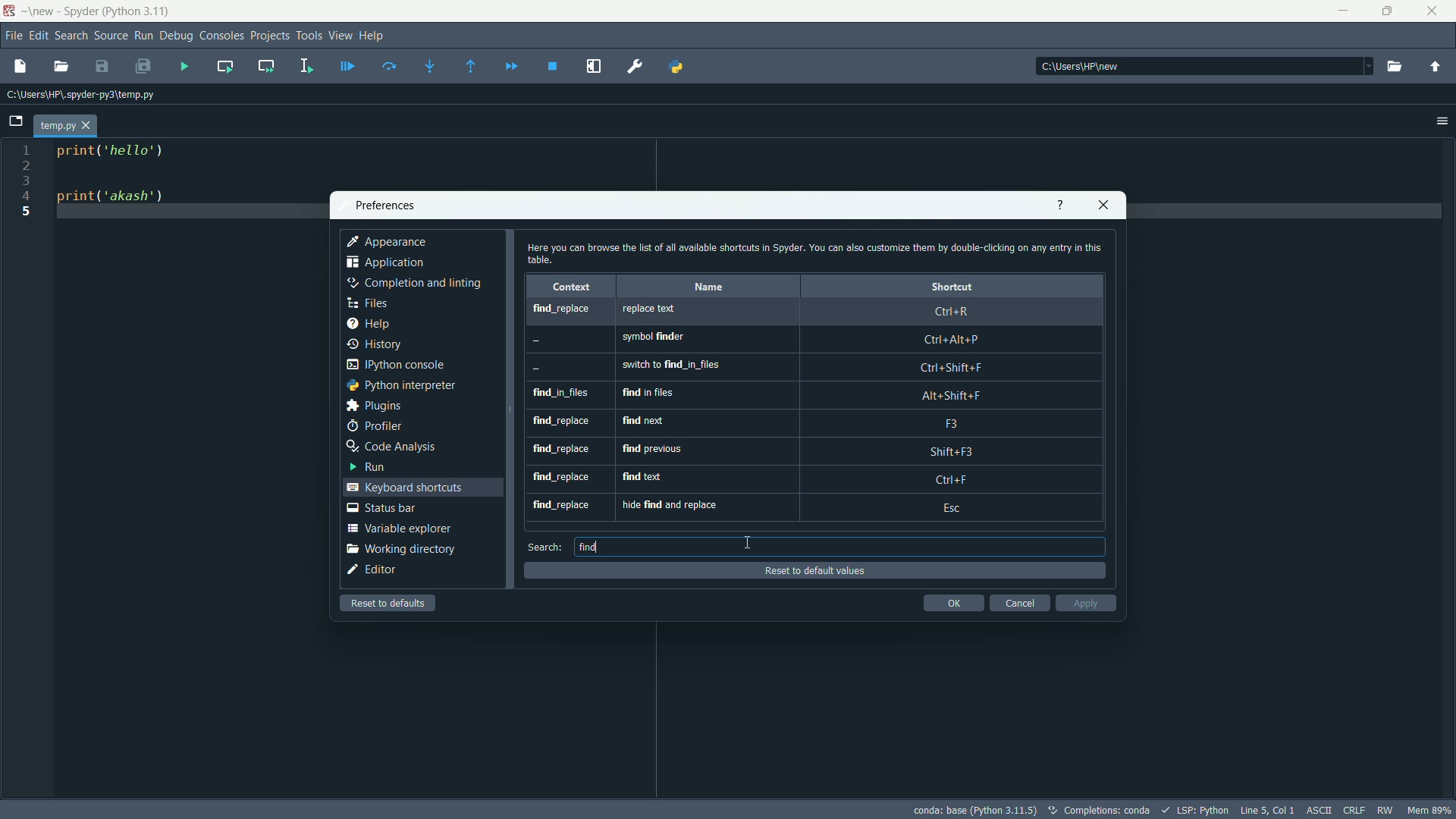 This screenshot has width=1456, height=819. I want to click on print( ‘akash'), so click(115, 199).